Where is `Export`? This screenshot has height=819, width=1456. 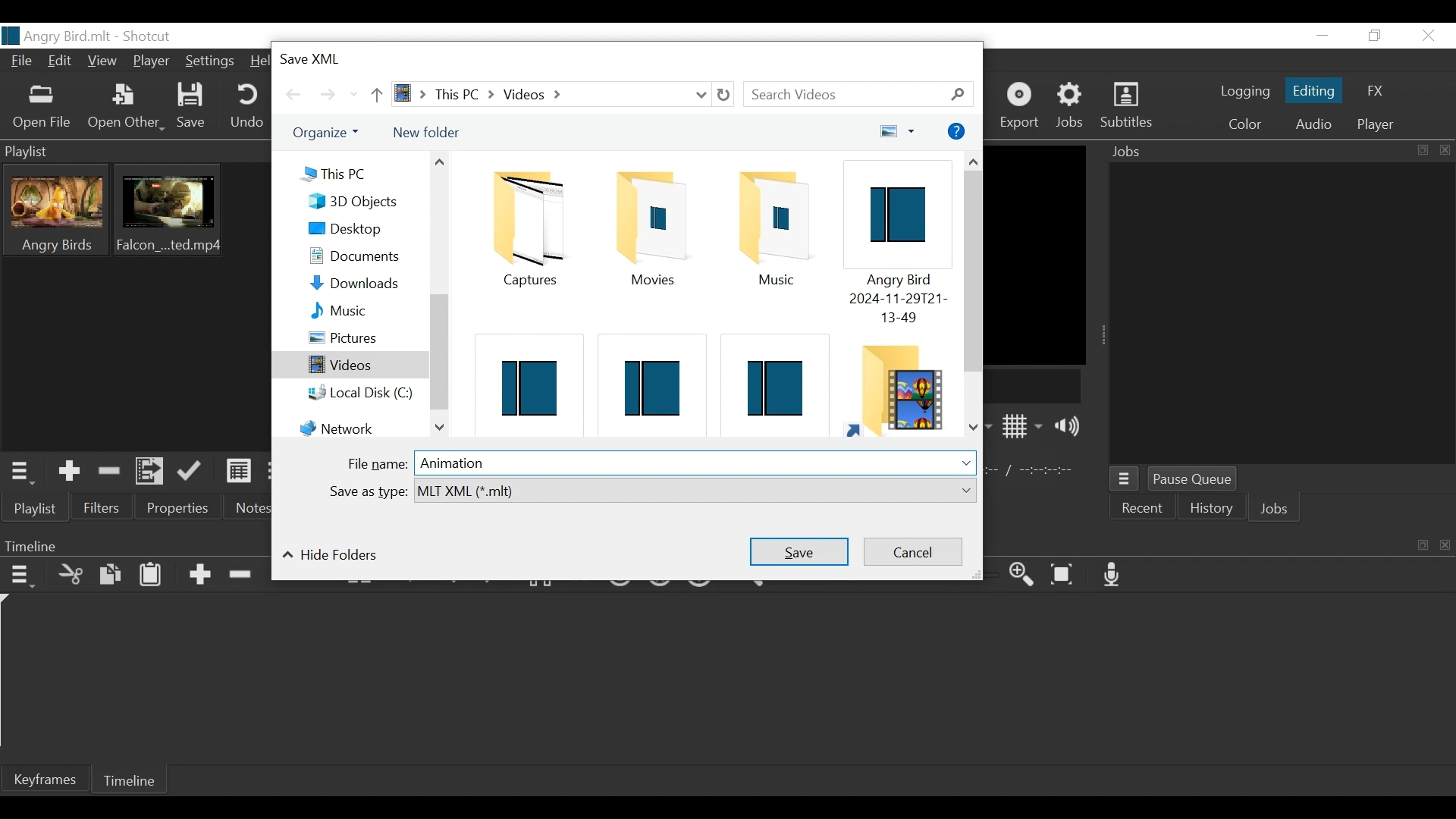
Export is located at coordinates (1021, 106).